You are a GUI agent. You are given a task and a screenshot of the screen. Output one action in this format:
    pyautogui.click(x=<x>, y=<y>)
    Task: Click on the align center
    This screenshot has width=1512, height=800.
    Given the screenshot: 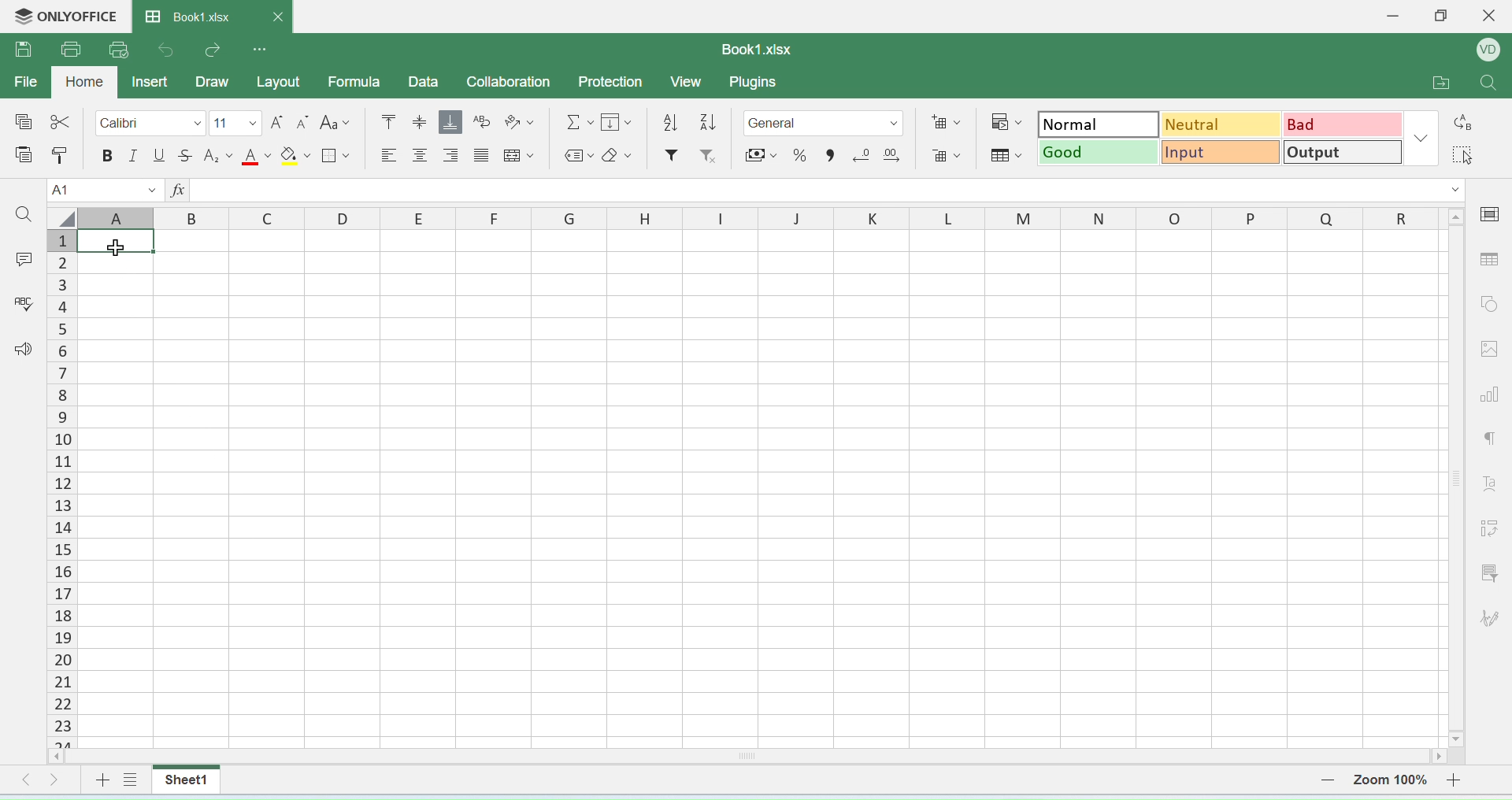 What is the action you would take?
    pyautogui.click(x=421, y=157)
    